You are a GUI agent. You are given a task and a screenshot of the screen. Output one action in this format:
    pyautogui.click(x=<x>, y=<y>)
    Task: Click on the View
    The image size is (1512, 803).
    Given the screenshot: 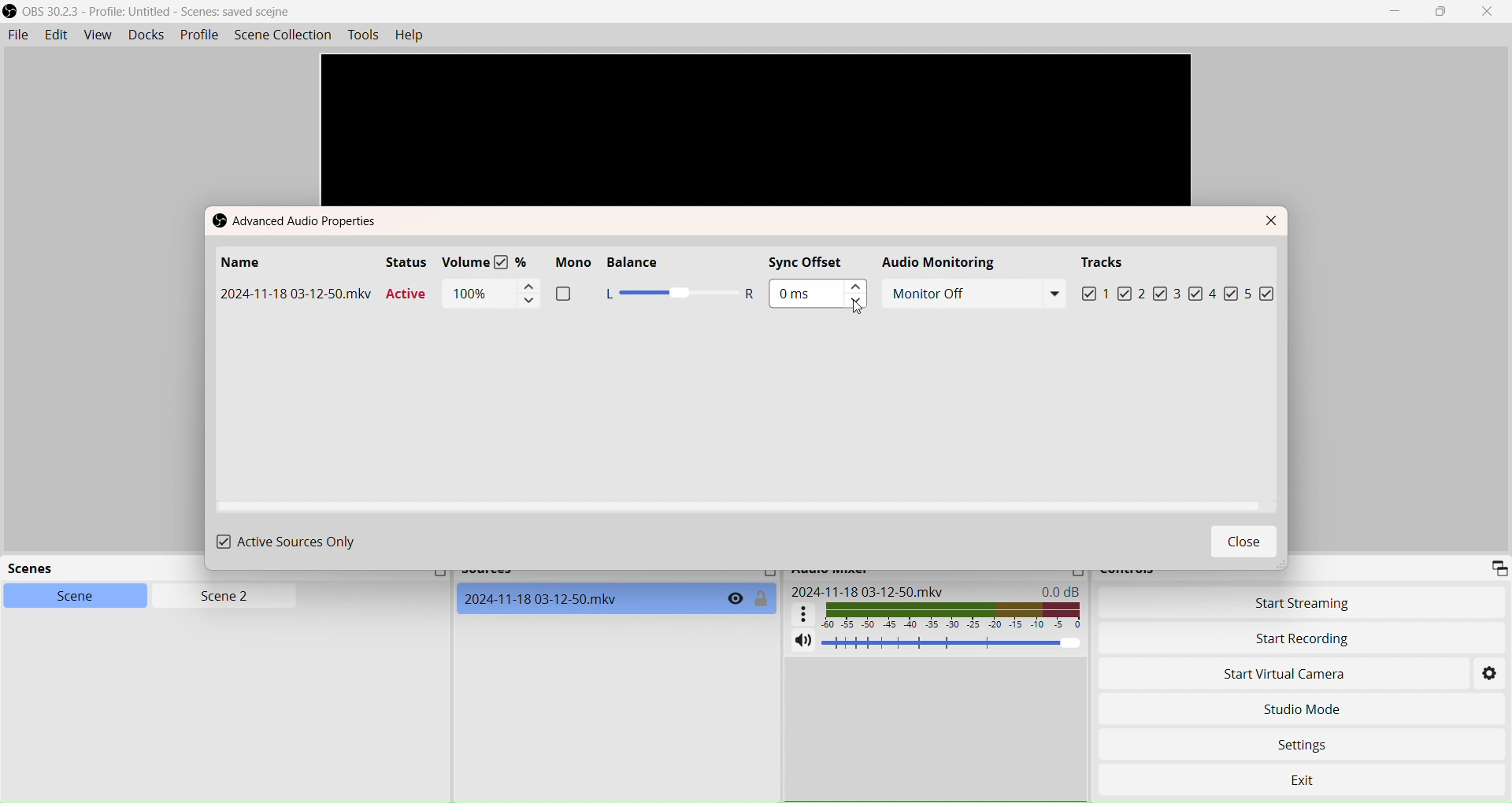 What is the action you would take?
    pyautogui.click(x=95, y=35)
    